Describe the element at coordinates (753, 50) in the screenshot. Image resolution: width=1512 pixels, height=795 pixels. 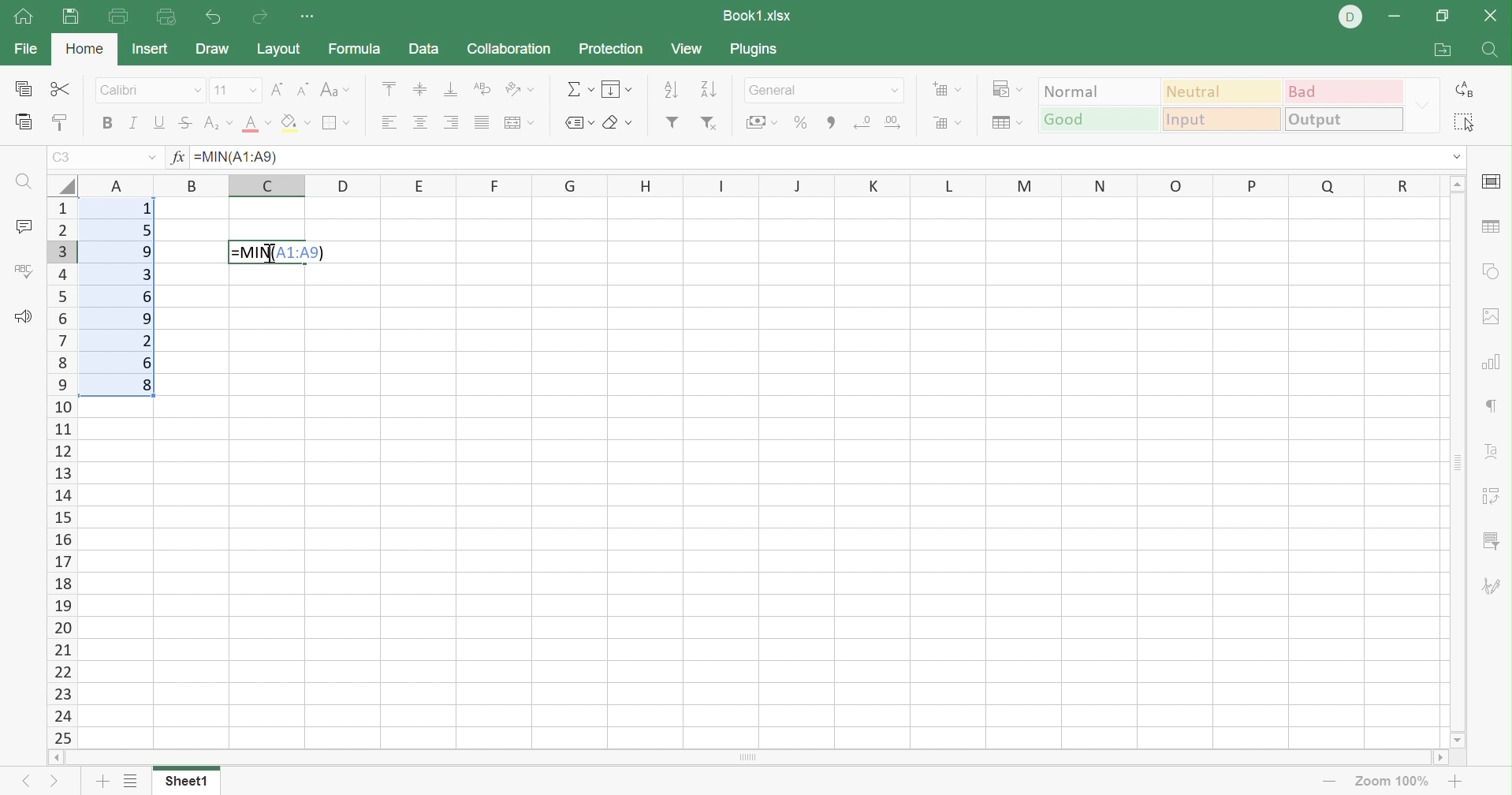
I see `Plugins` at that location.